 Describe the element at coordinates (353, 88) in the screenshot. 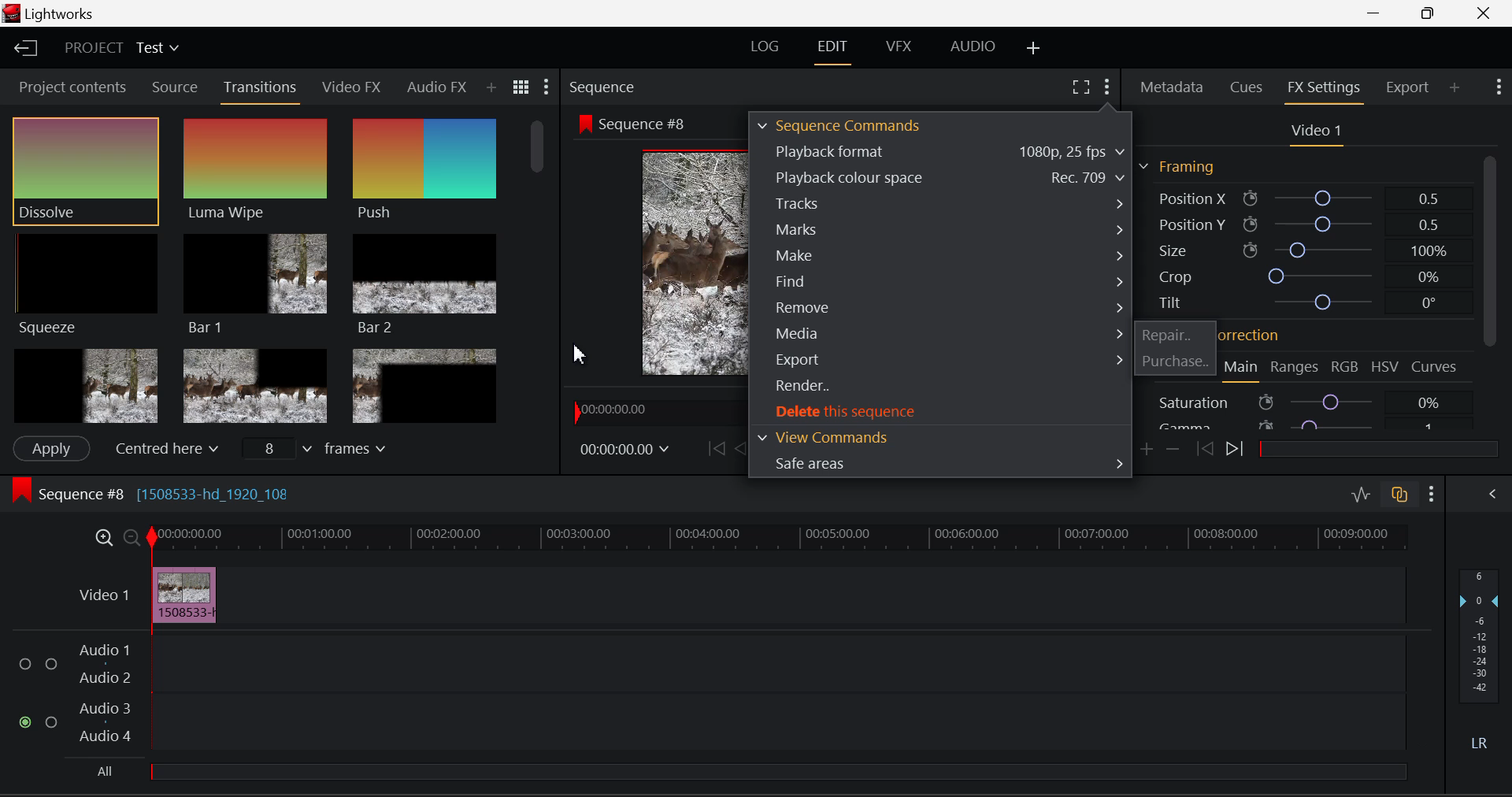

I see `Video FX` at that location.